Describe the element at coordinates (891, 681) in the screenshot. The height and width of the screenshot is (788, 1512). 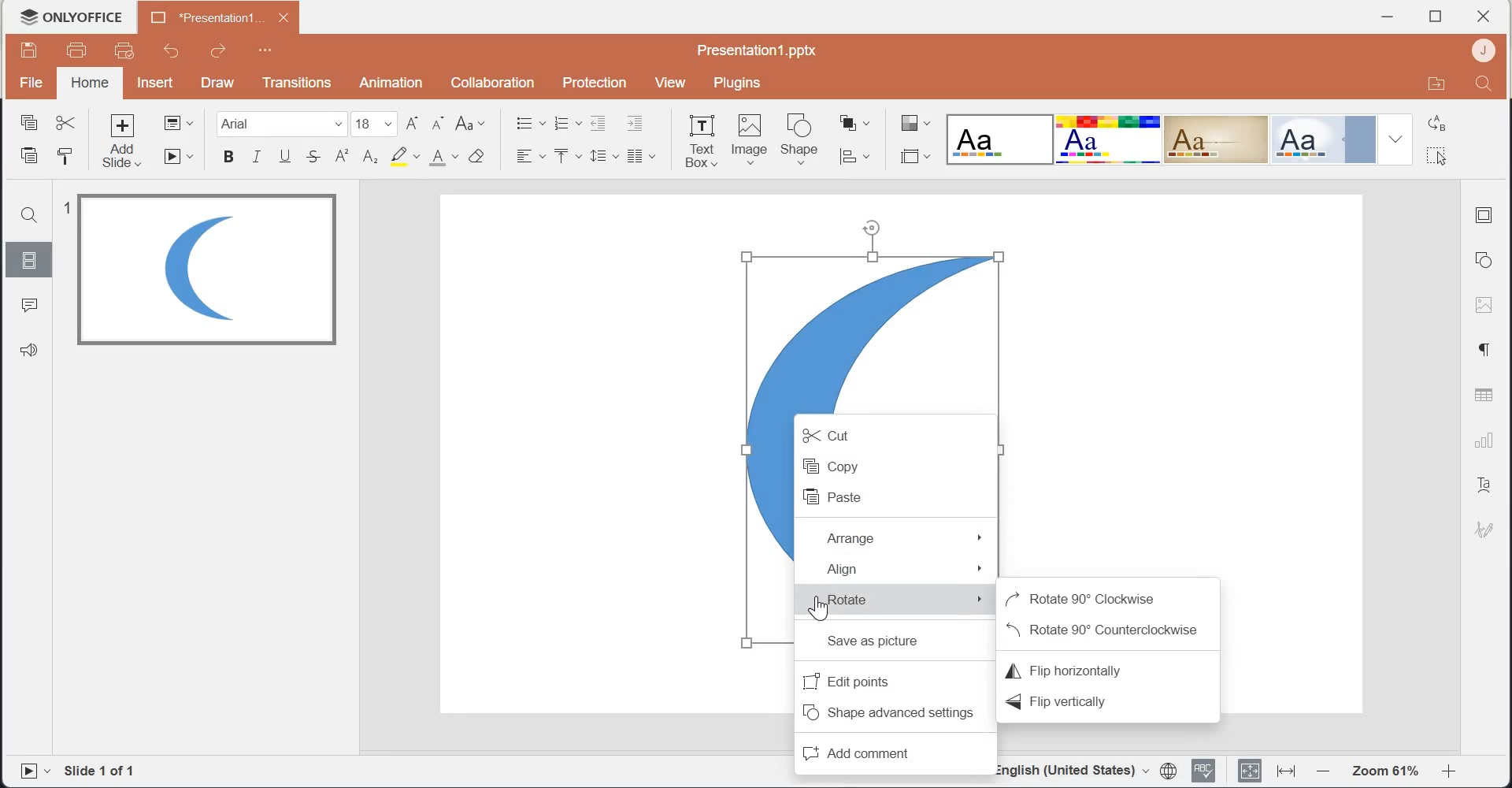
I see `Edit points` at that location.